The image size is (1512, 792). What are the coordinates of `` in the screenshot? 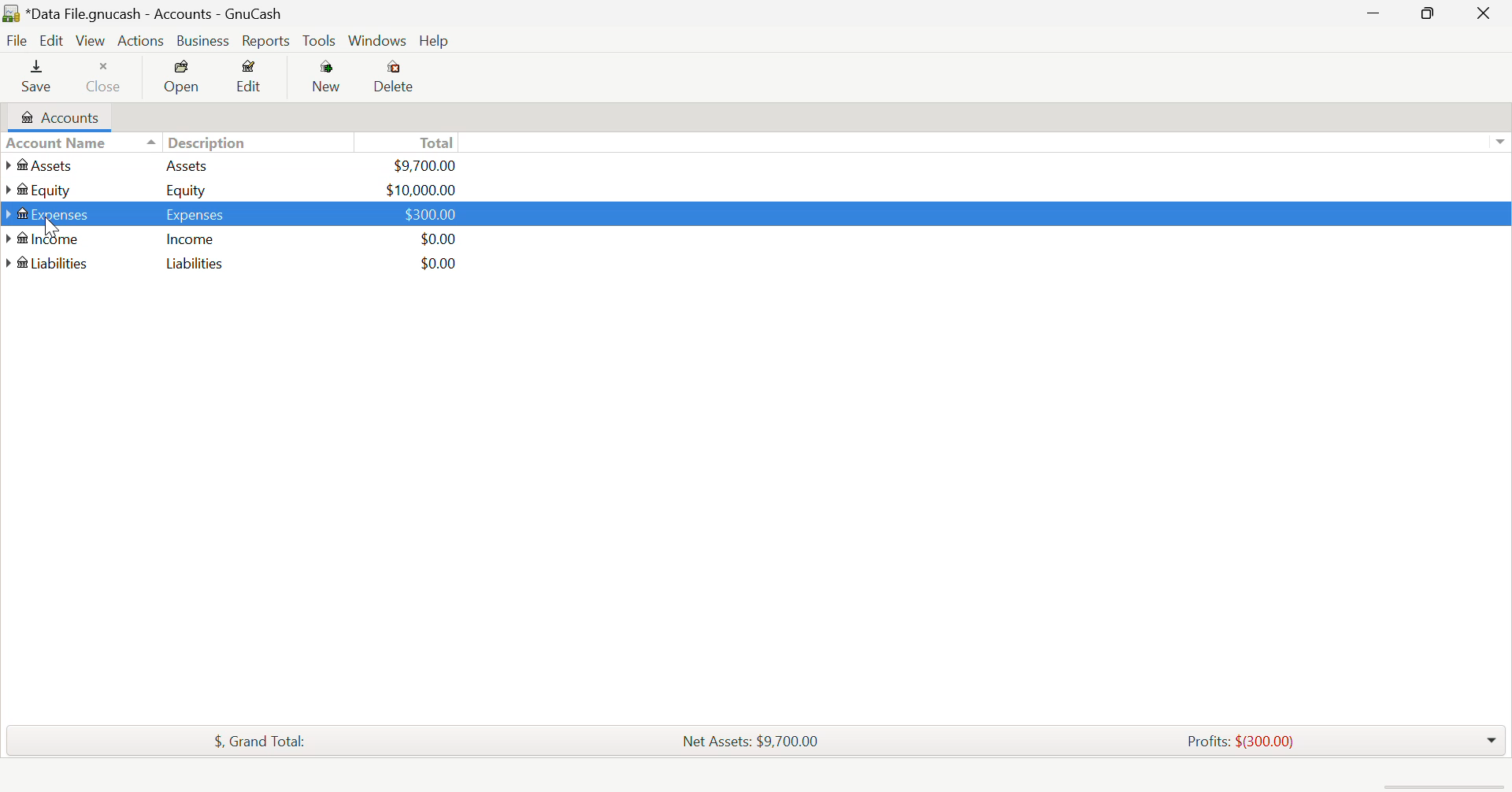 It's located at (330, 79).